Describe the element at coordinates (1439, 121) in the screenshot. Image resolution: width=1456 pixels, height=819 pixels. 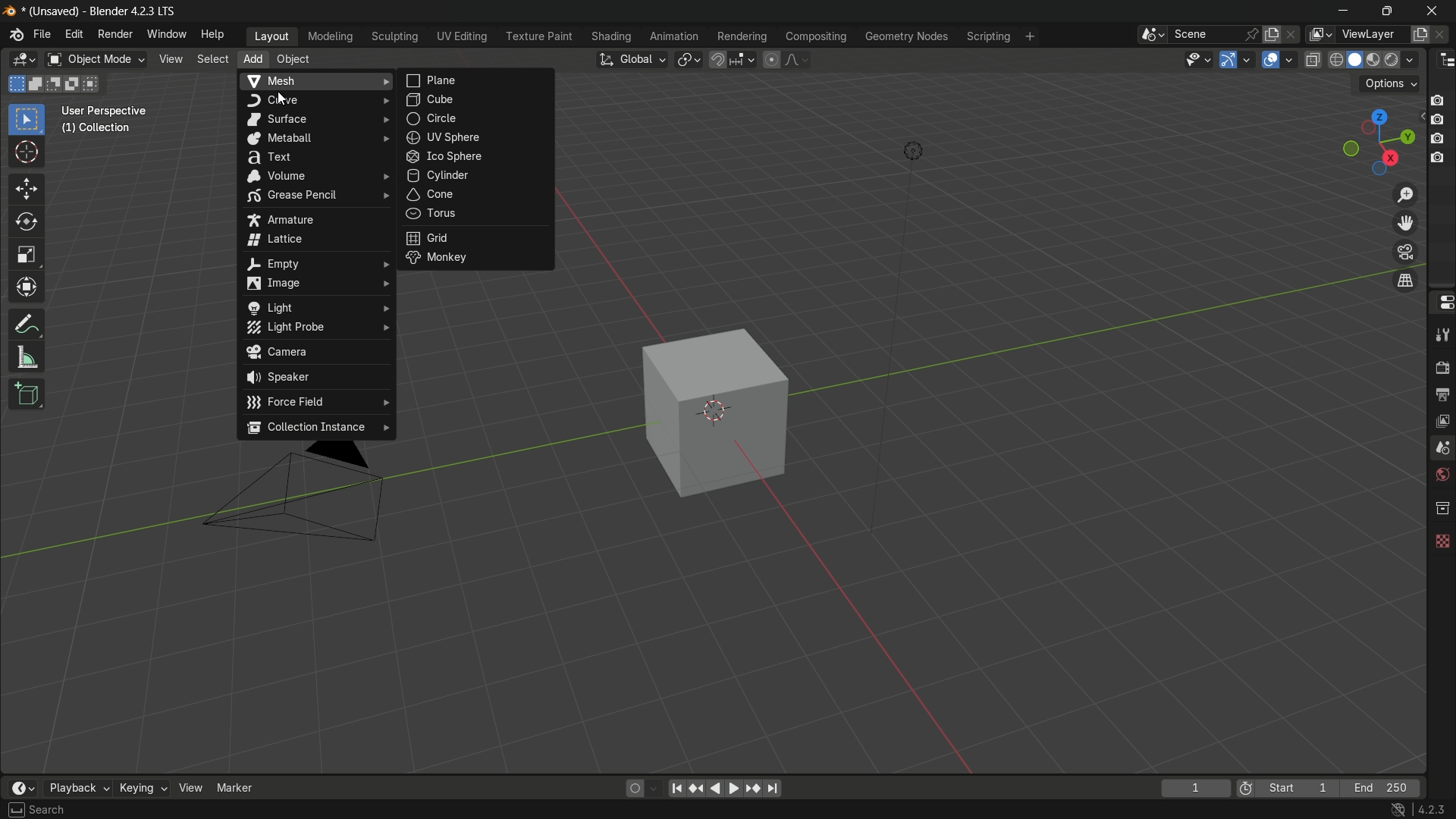
I see `capture` at that location.